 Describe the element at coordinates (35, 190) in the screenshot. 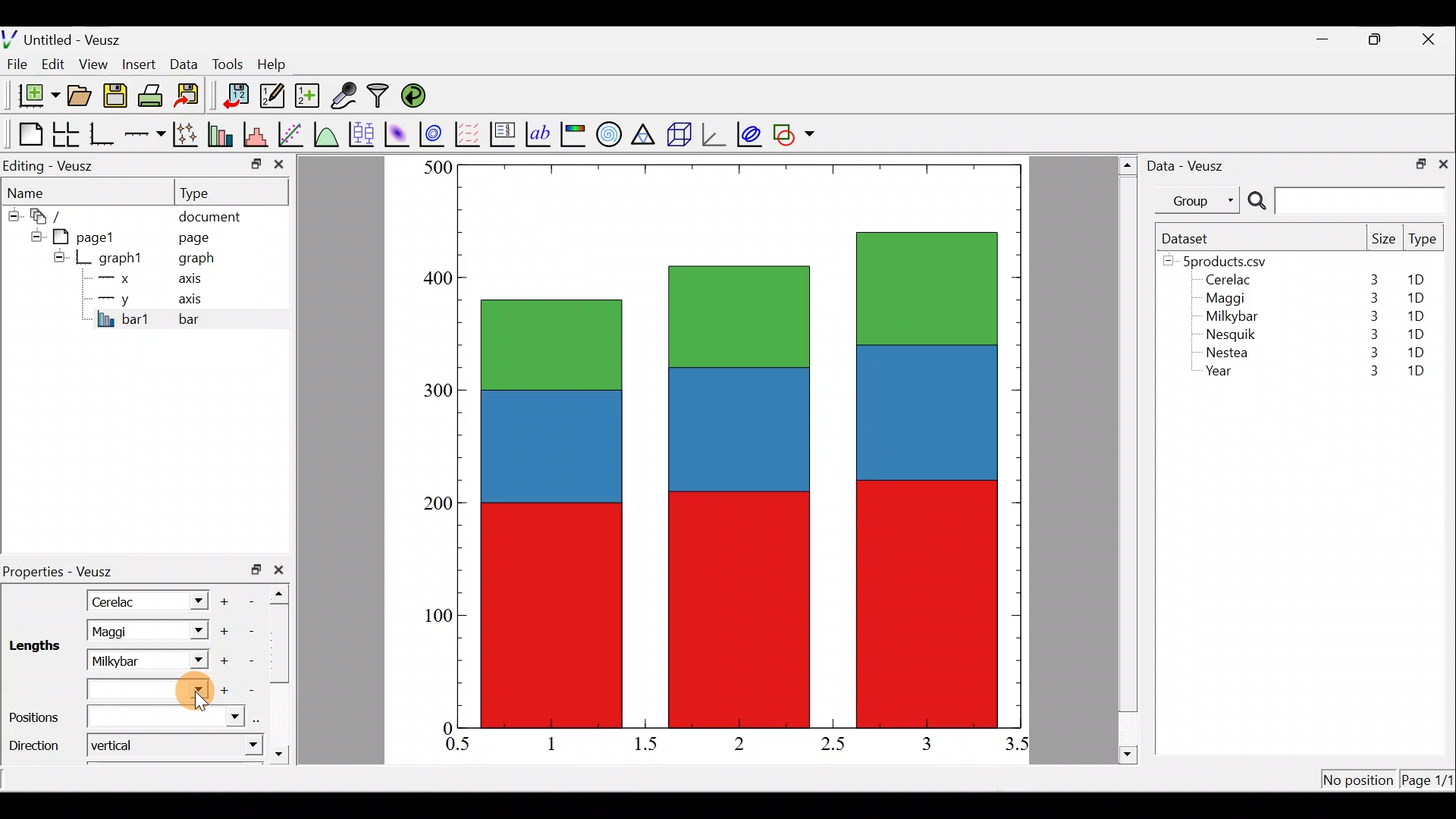

I see `Name` at that location.